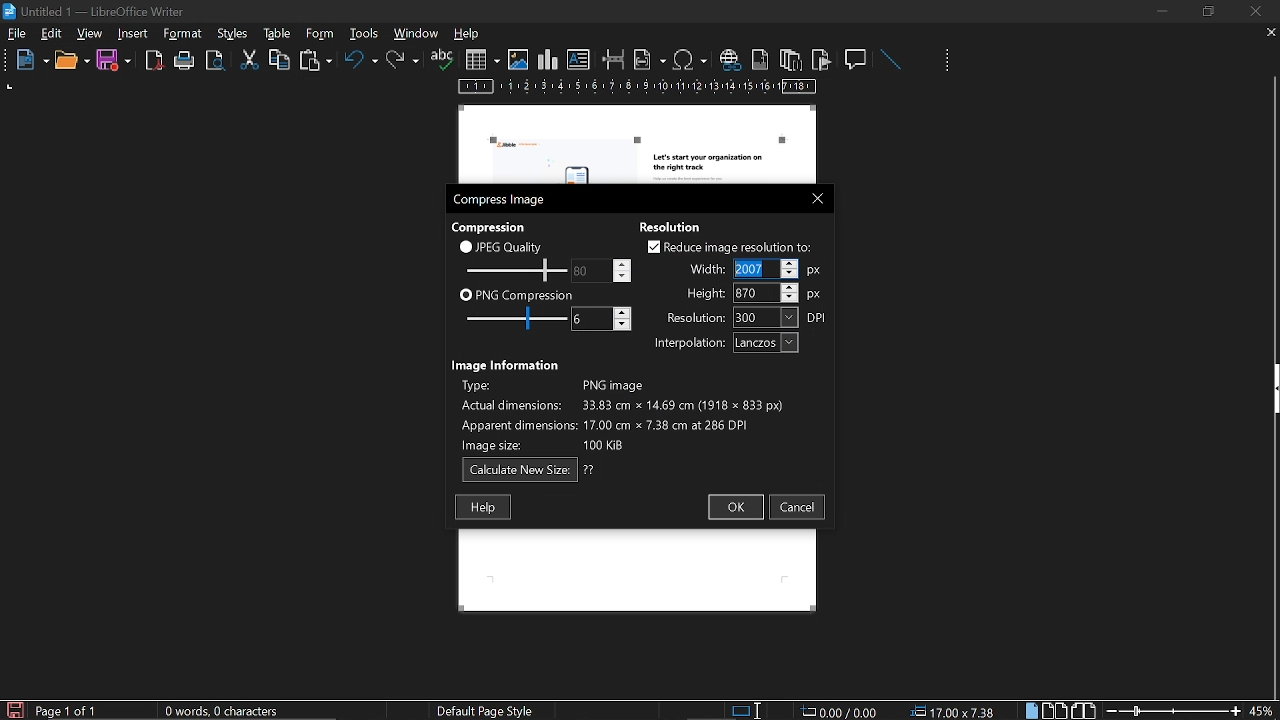 The image size is (1280, 720). Describe the element at coordinates (529, 470) in the screenshot. I see `calculate new size` at that location.